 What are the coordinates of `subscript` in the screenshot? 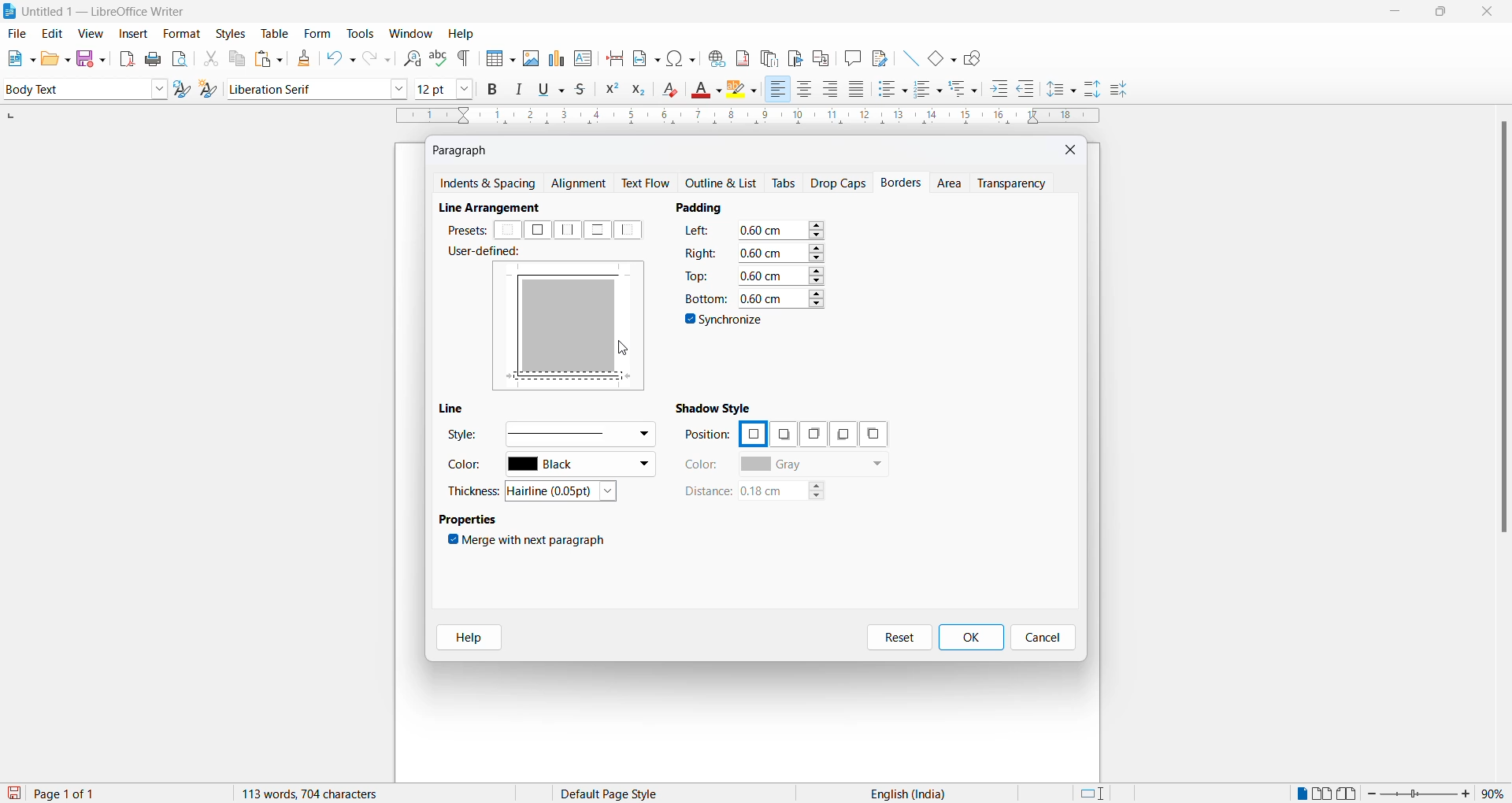 It's located at (643, 91).